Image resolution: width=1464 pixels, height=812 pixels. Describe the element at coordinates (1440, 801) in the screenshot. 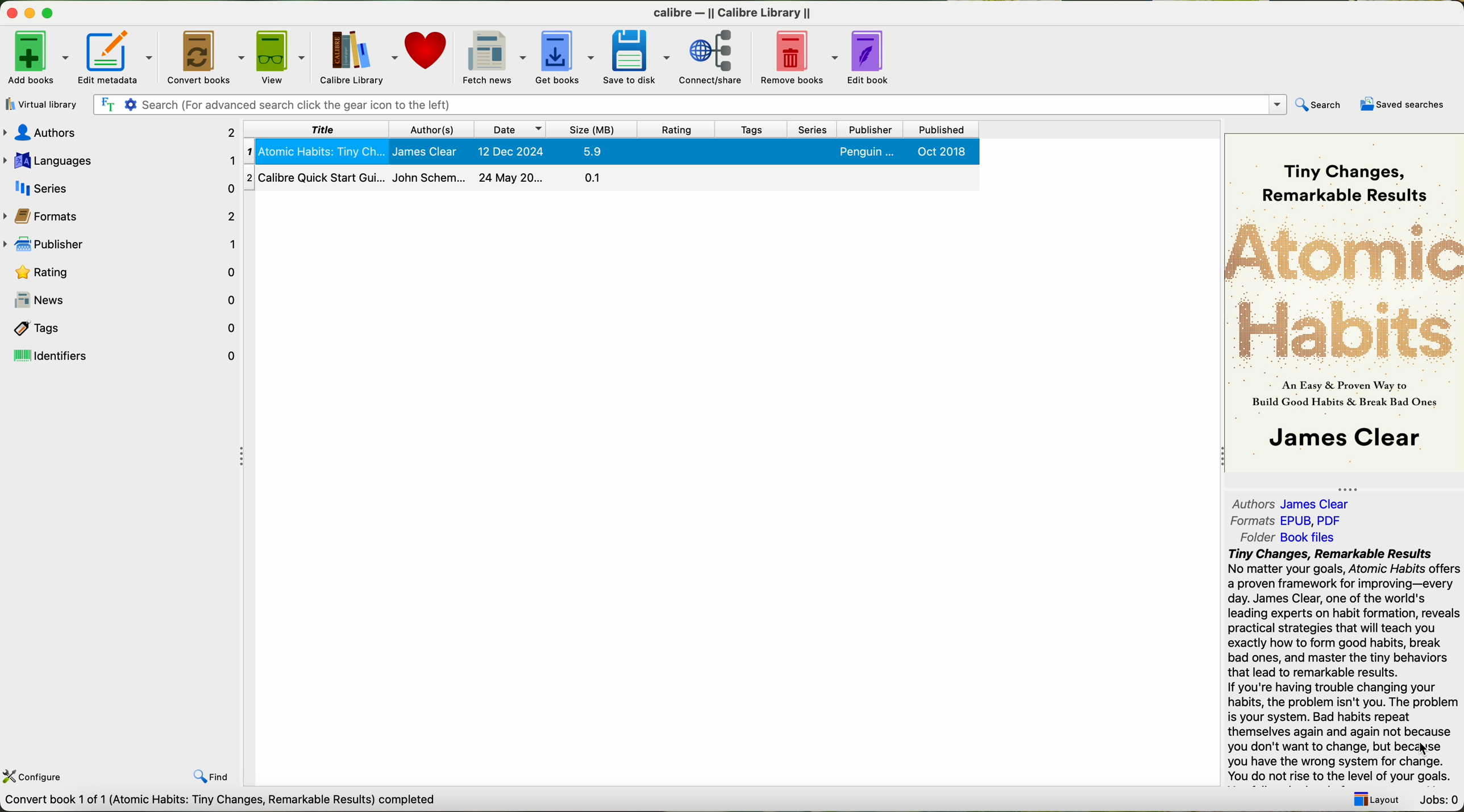

I see `Jobs: 0` at that location.